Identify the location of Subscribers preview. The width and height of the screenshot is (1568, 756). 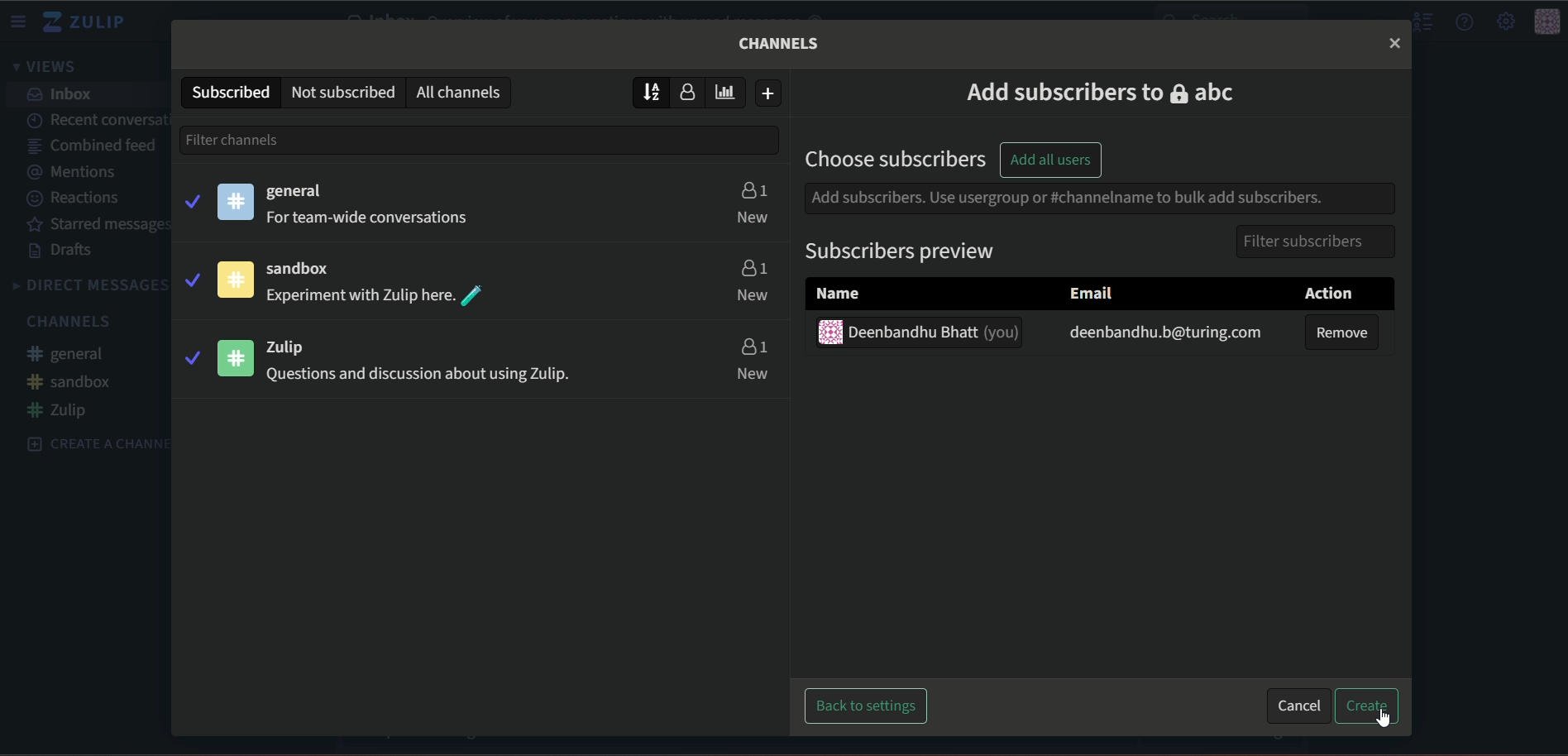
(892, 251).